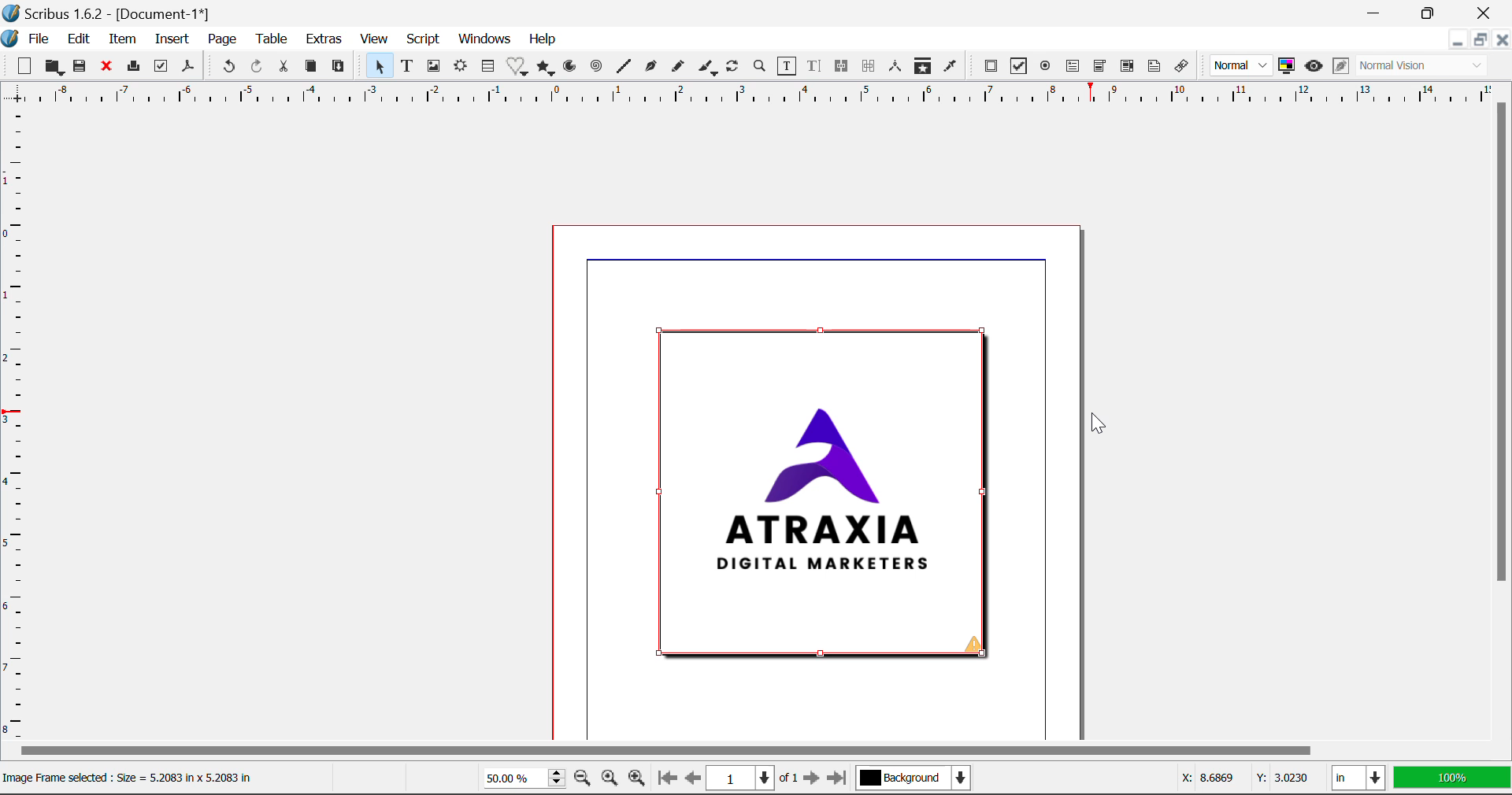  What do you see at coordinates (1380, 11) in the screenshot?
I see `Restore Down` at bounding box center [1380, 11].